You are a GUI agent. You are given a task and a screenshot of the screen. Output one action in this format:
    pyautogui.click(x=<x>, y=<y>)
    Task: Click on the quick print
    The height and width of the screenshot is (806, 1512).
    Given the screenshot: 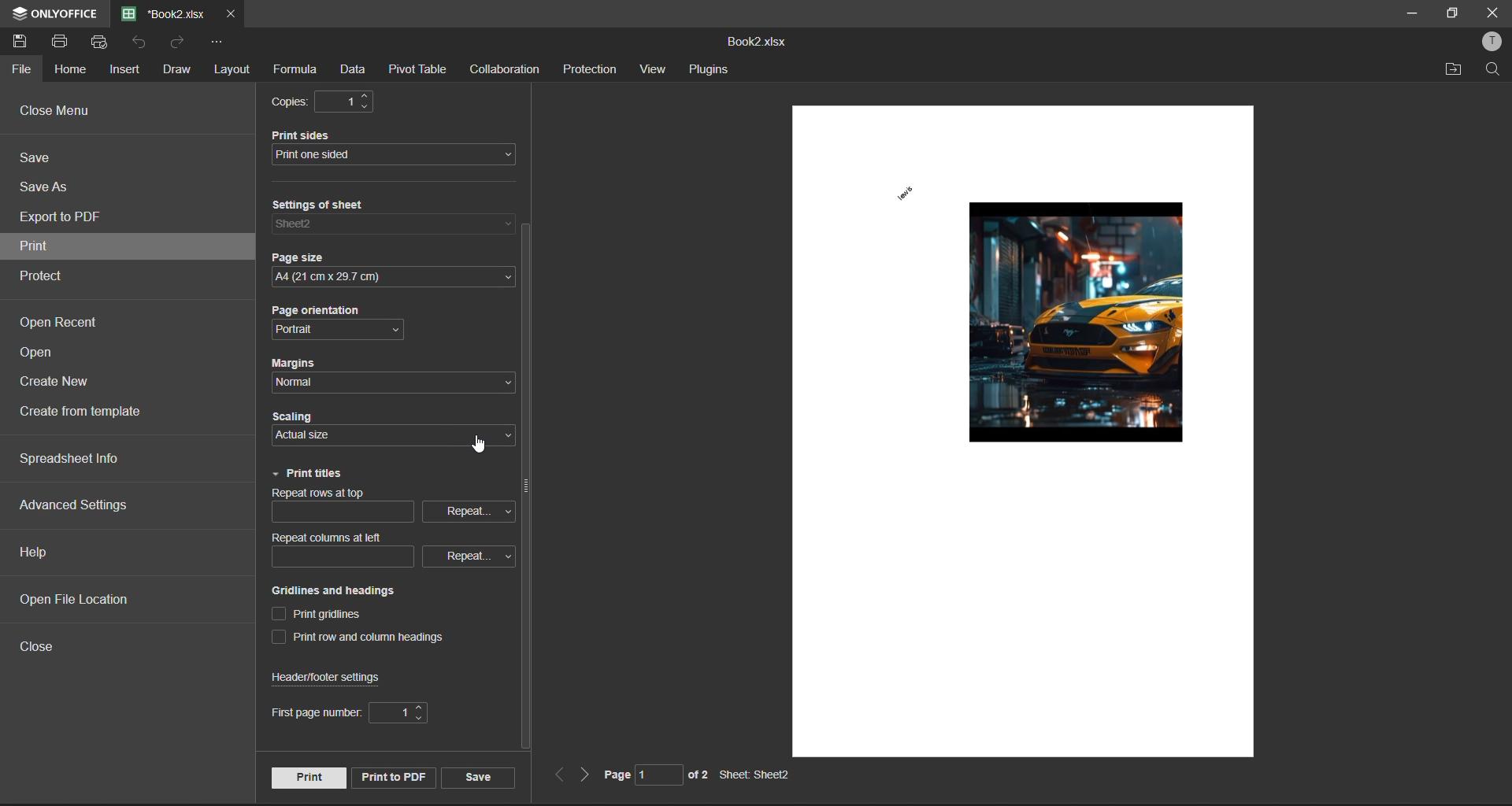 What is the action you would take?
    pyautogui.click(x=102, y=43)
    